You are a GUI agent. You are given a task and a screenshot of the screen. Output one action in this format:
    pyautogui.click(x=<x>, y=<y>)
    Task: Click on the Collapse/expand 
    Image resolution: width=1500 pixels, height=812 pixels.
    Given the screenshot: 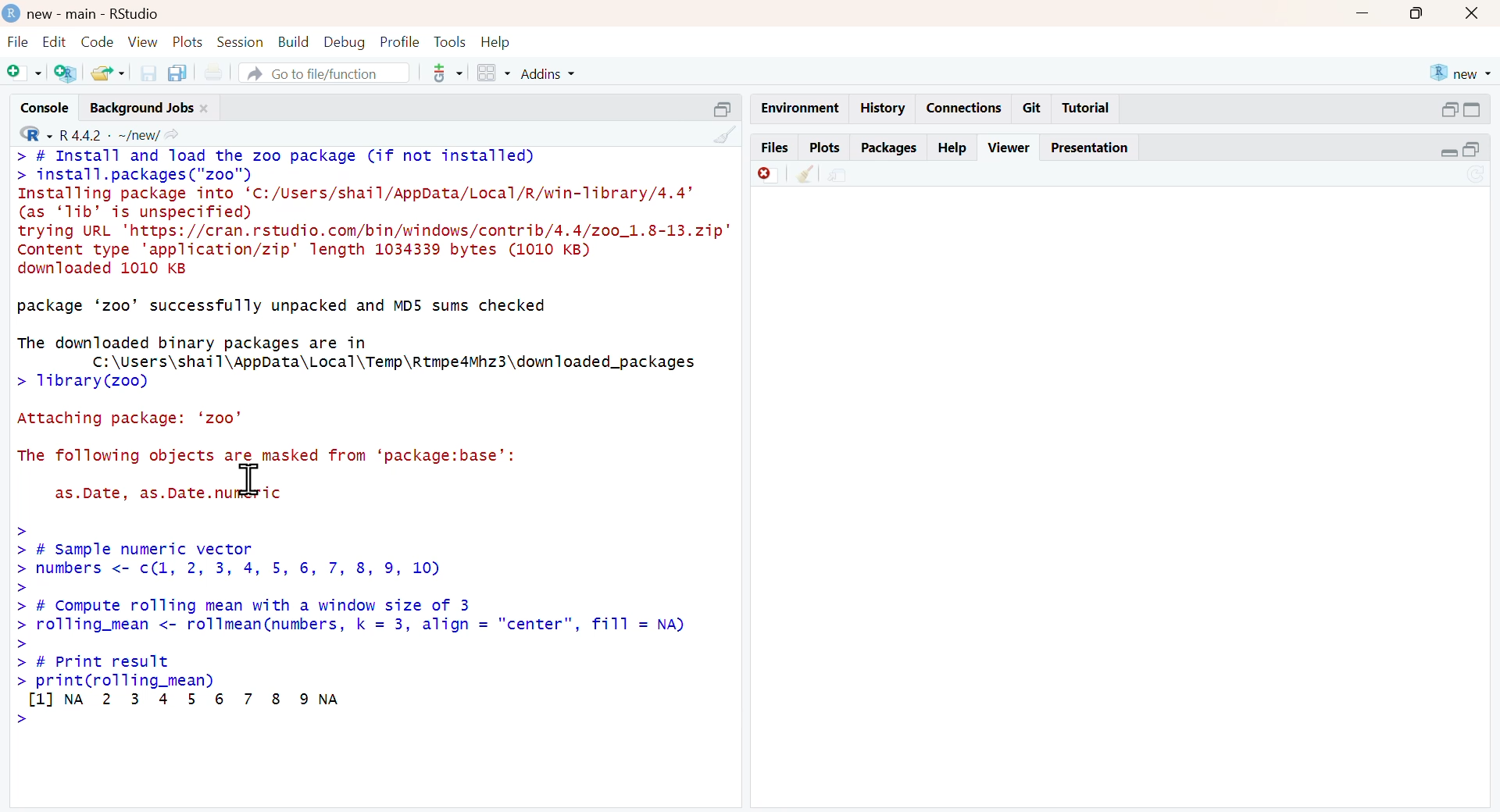 What is the action you would take?
    pyautogui.click(x=1448, y=152)
    